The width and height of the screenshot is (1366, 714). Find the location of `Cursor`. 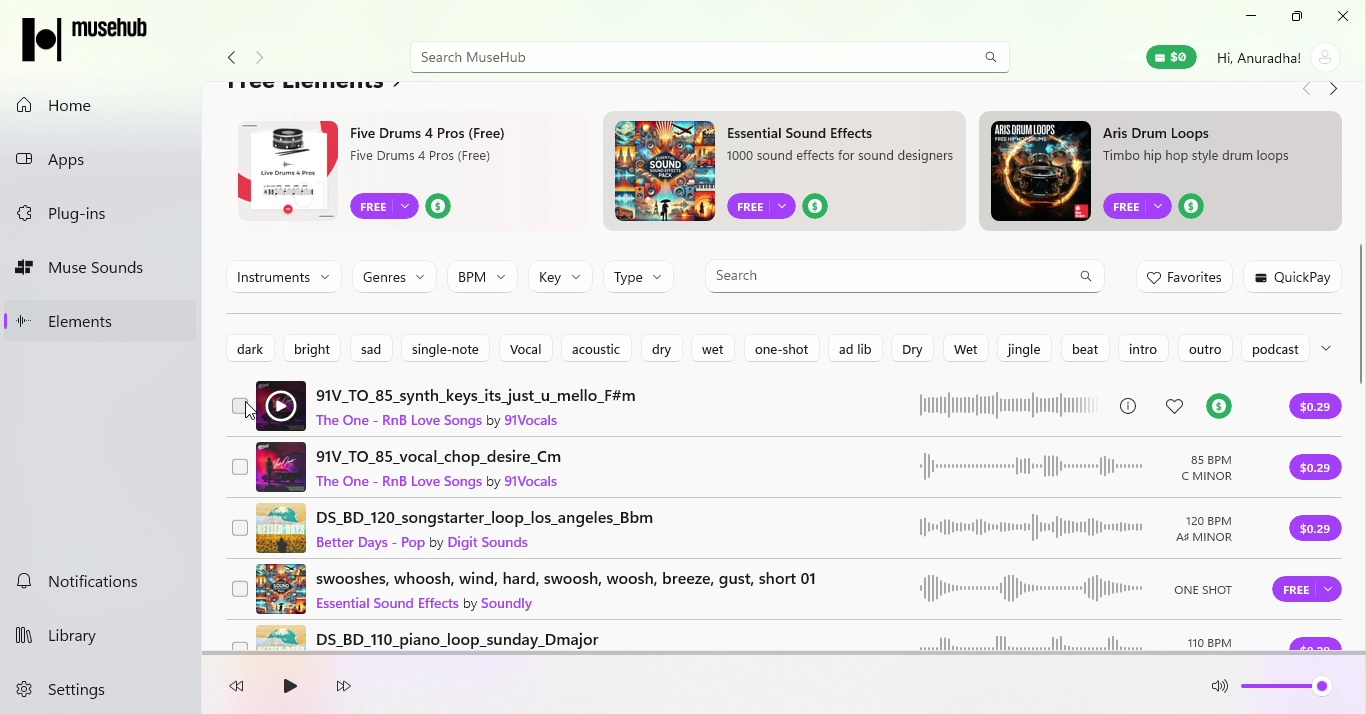

Cursor is located at coordinates (247, 414).